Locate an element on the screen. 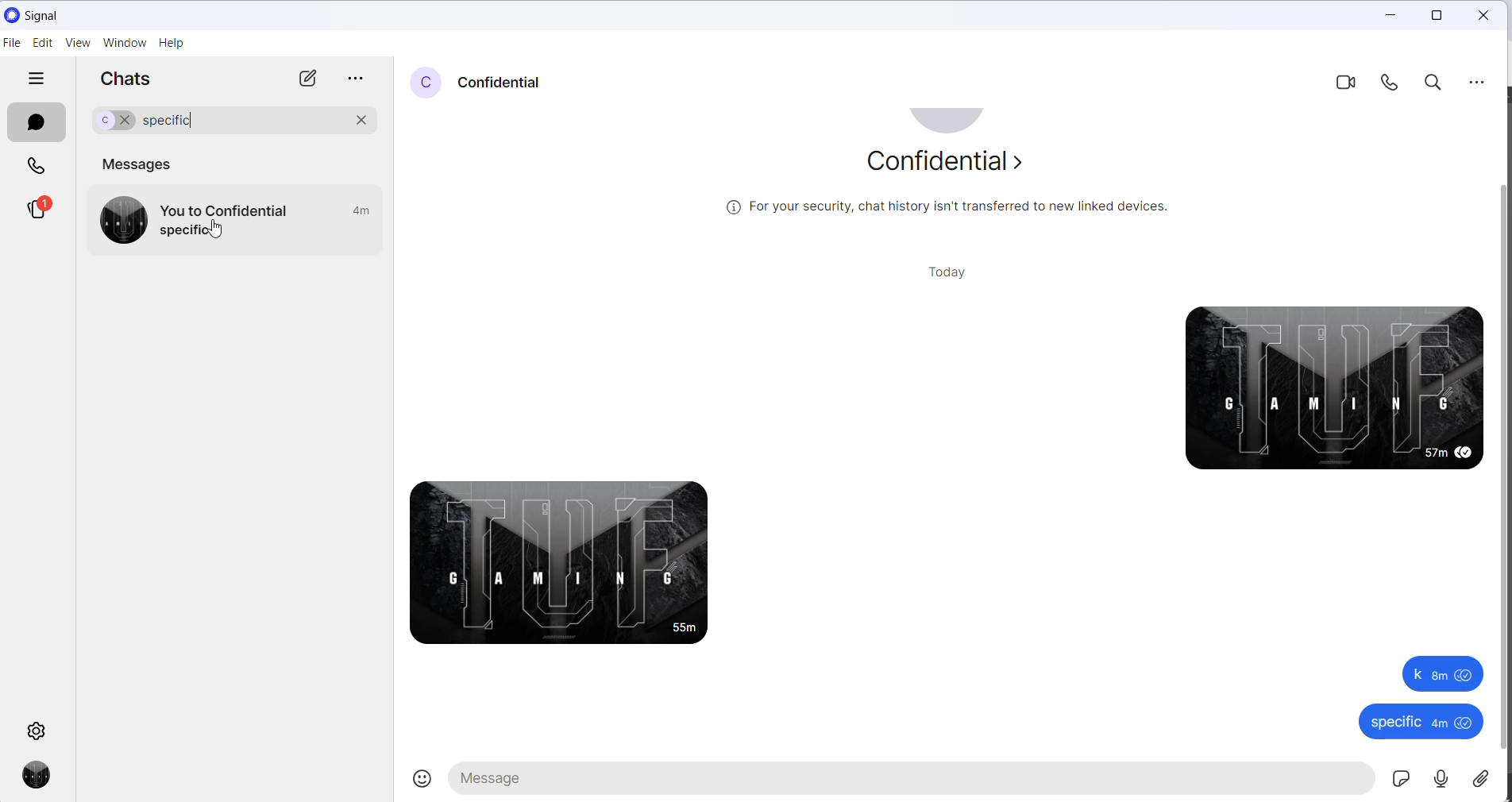 Image resolution: width=1512 pixels, height=802 pixels. cursor is located at coordinates (221, 228).